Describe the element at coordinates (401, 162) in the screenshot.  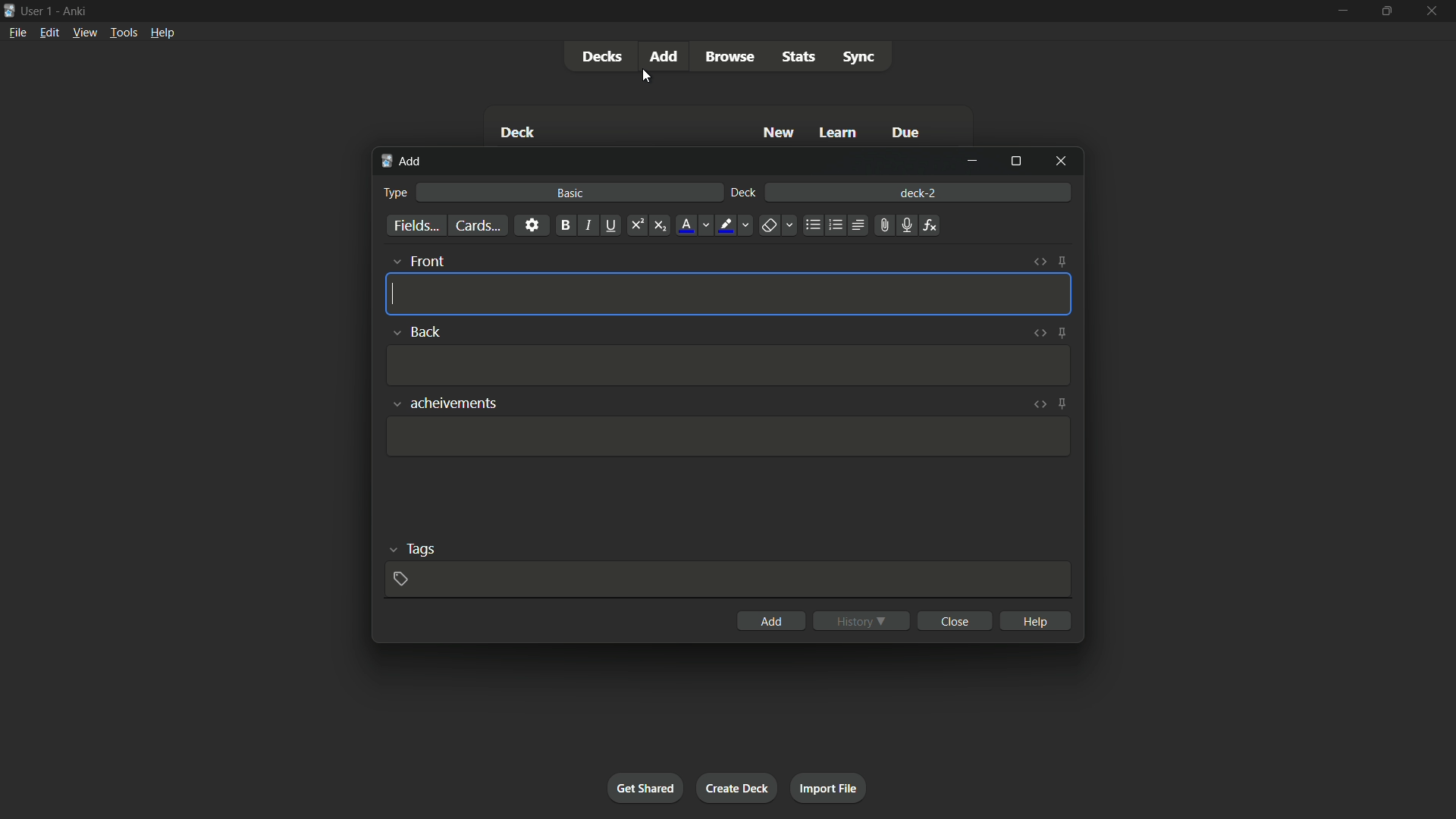
I see `add` at that location.